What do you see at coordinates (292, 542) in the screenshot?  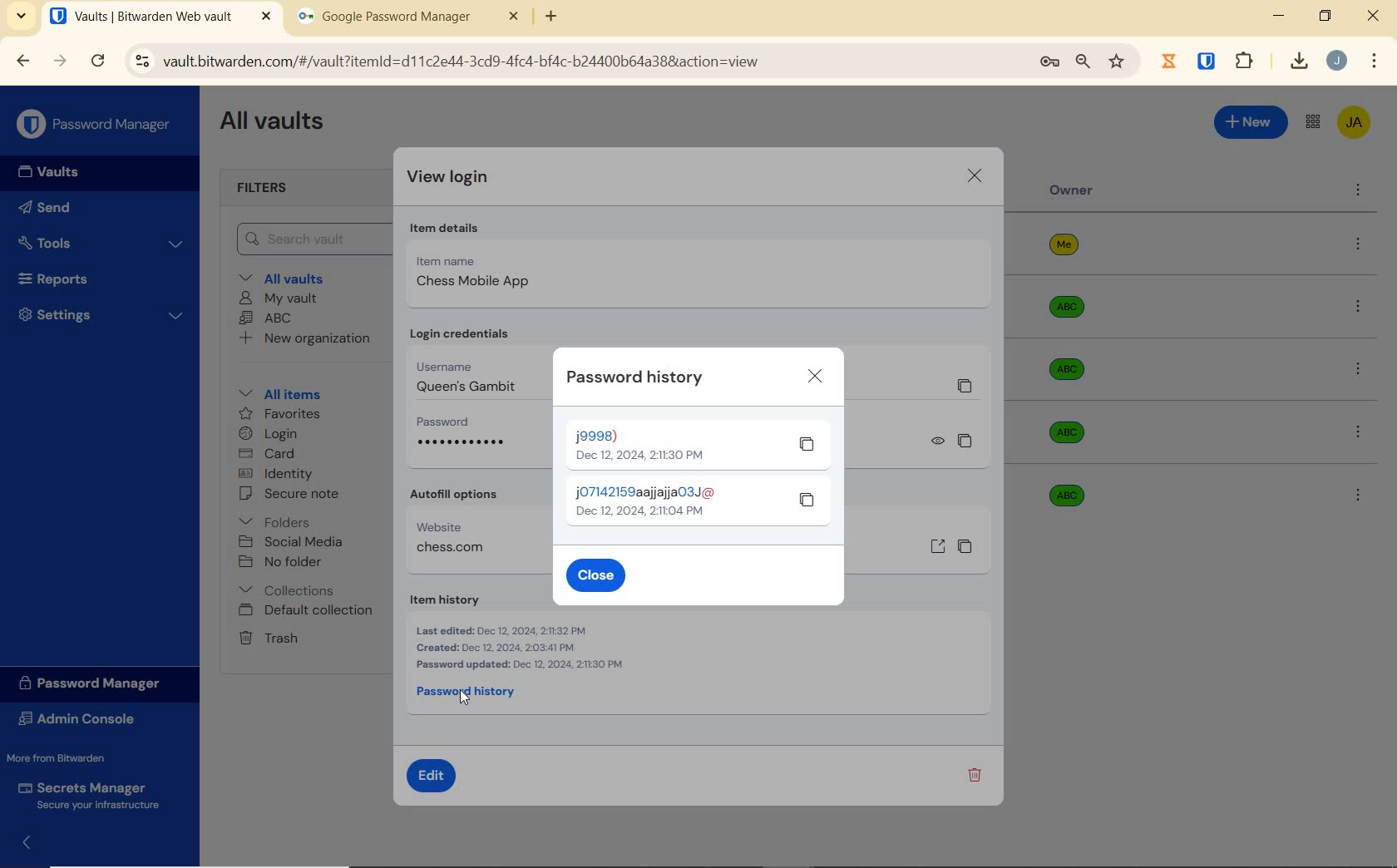 I see `social media` at bounding box center [292, 542].